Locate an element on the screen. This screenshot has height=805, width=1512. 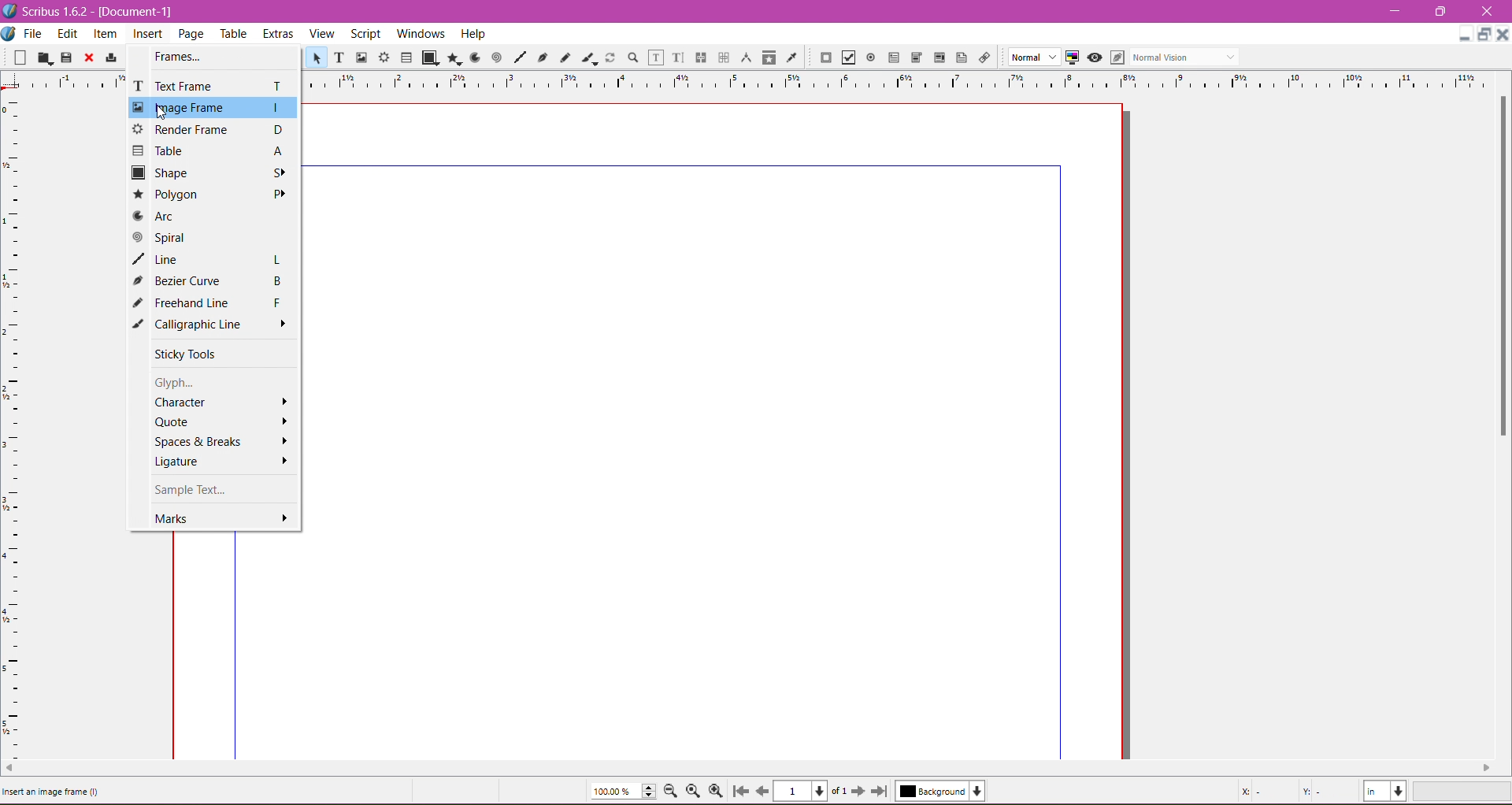
Polygon is located at coordinates (215, 195).